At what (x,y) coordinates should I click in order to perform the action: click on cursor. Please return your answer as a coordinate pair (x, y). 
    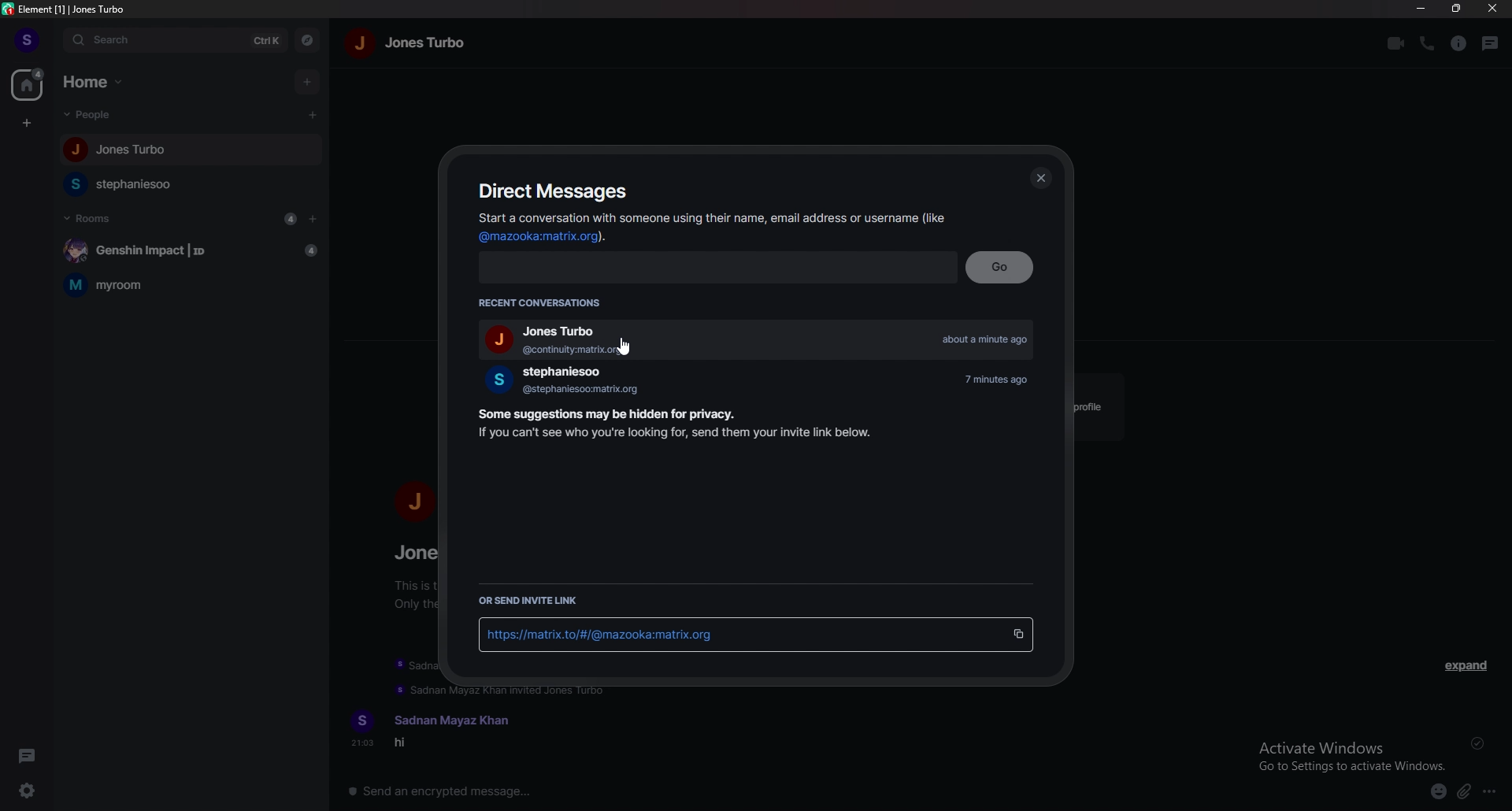
    Looking at the image, I should click on (627, 347).